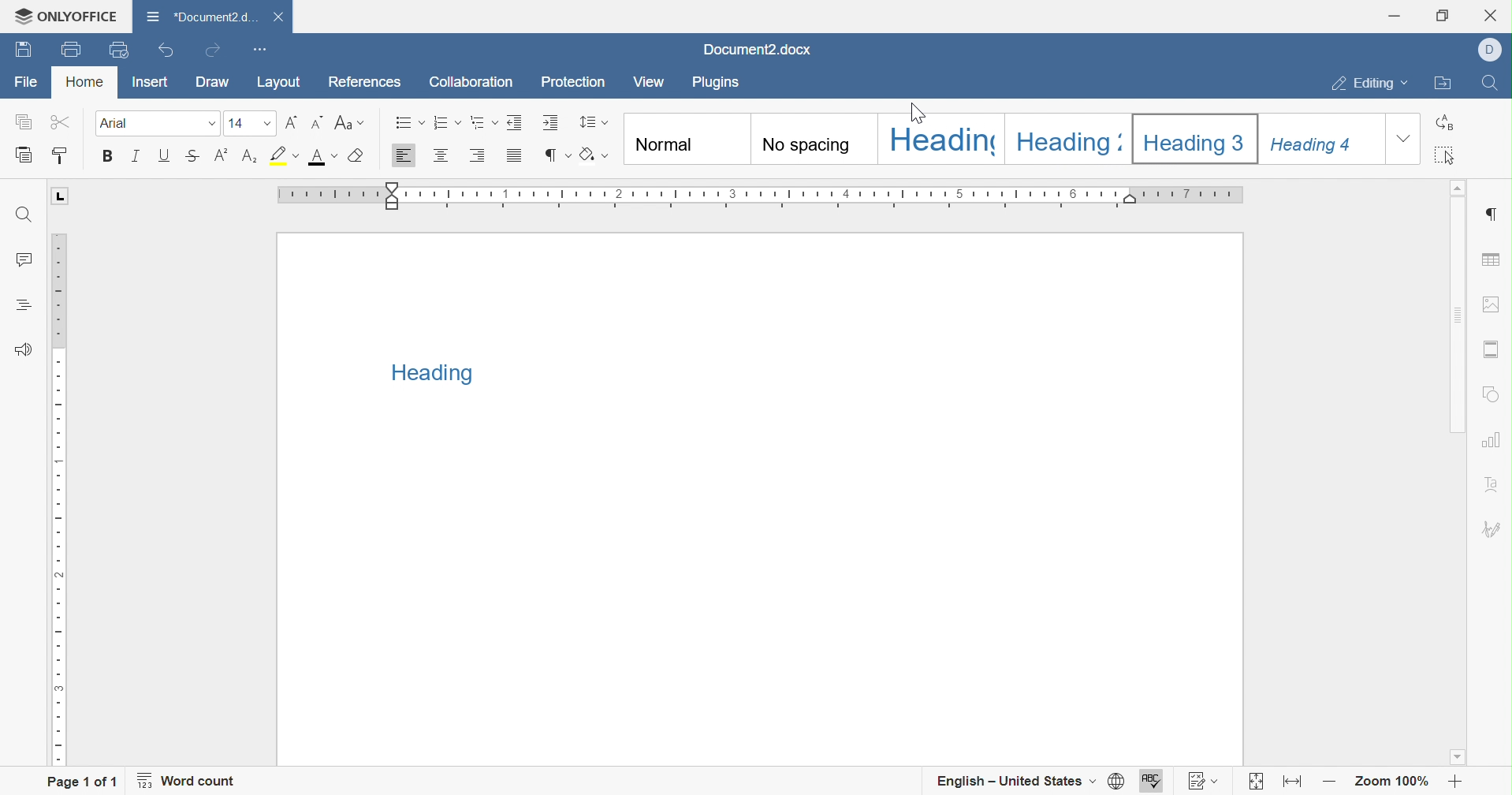  What do you see at coordinates (281, 153) in the screenshot?
I see `Highlight color` at bounding box center [281, 153].